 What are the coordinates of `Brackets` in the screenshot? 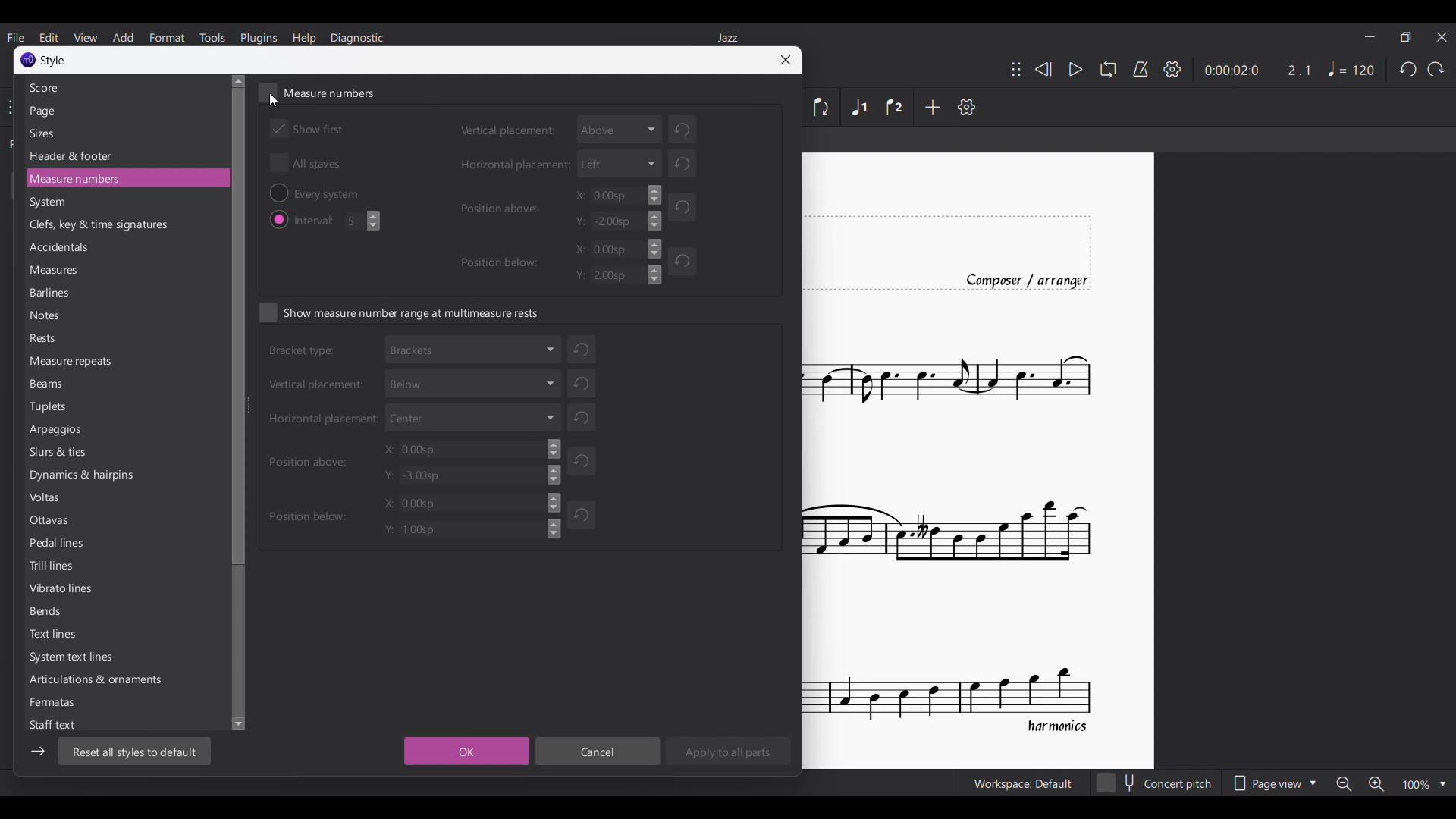 It's located at (473, 348).